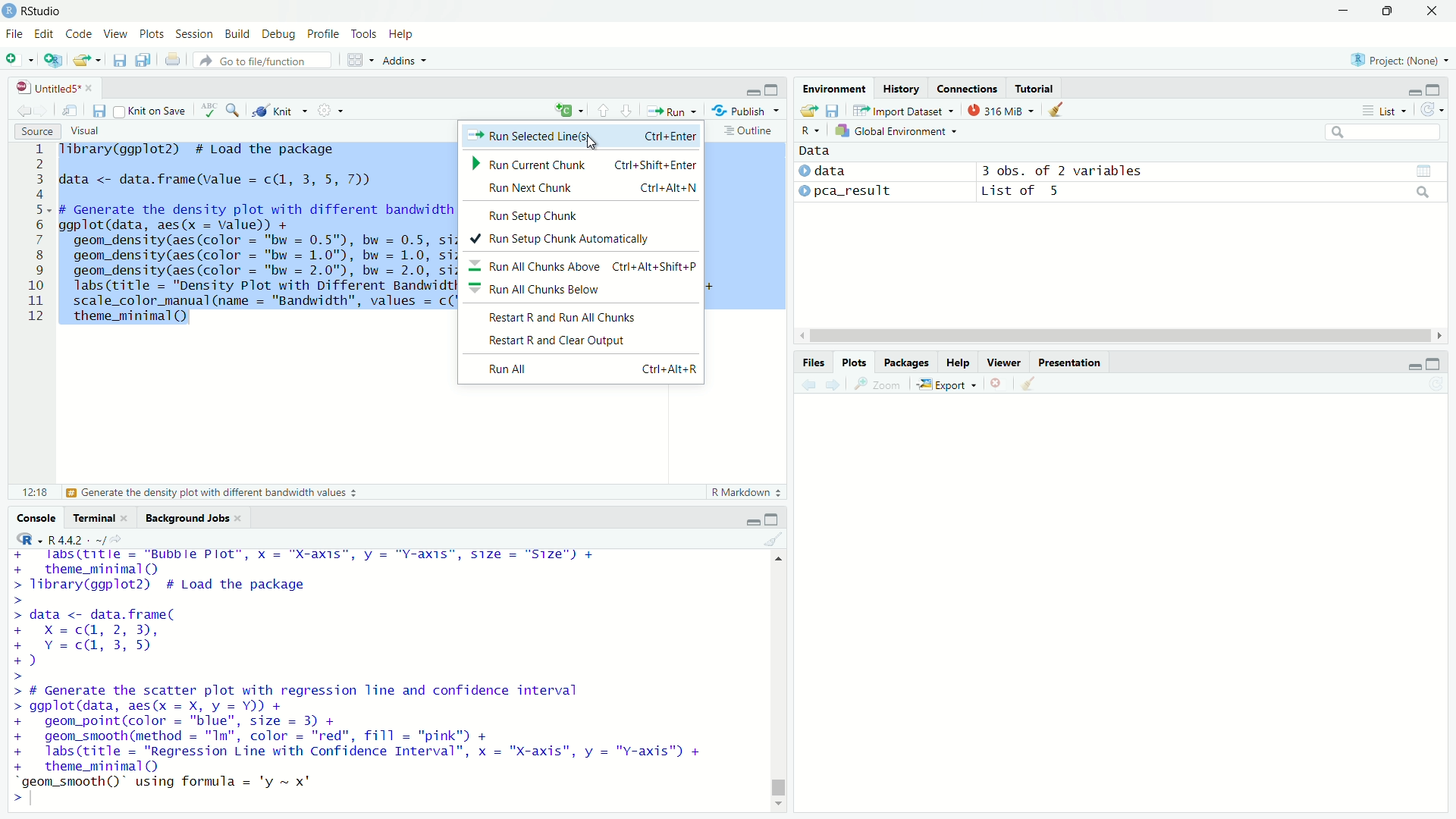  What do you see at coordinates (957, 362) in the screenshot?
I see `Help` at bounding box center [957, 362].